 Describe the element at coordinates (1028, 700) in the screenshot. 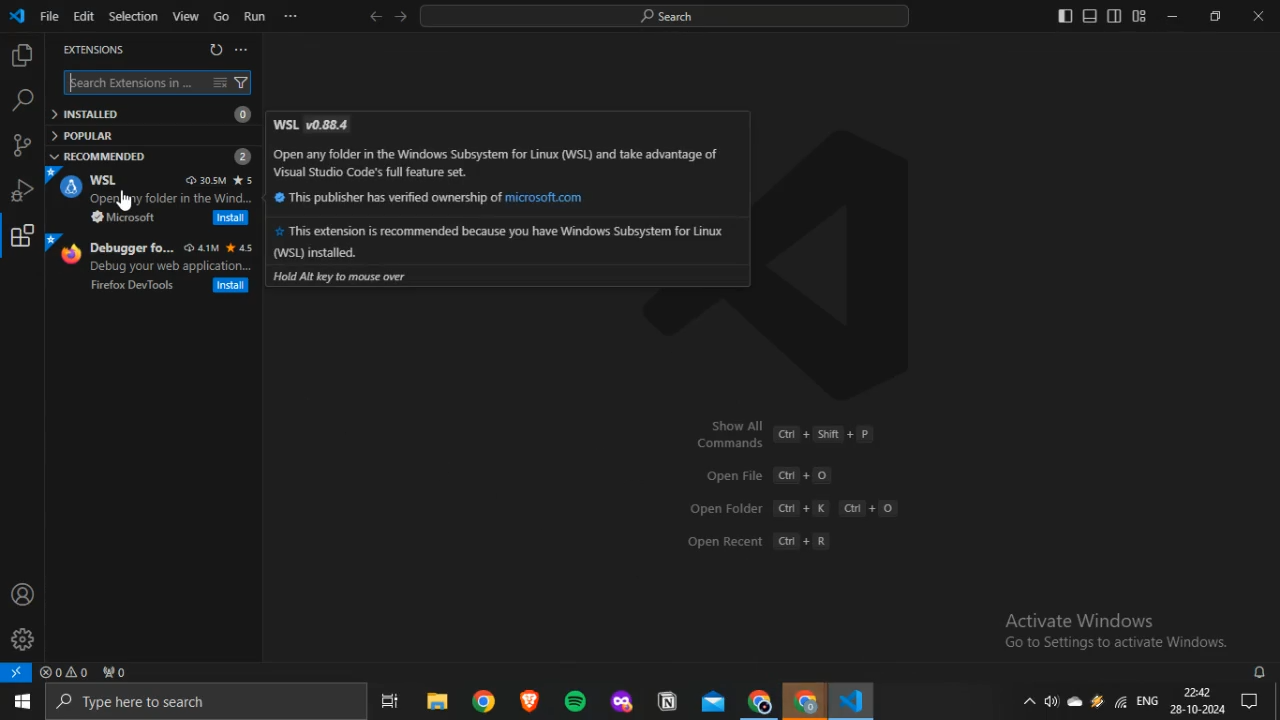

I see `show hidden icons` at that location.